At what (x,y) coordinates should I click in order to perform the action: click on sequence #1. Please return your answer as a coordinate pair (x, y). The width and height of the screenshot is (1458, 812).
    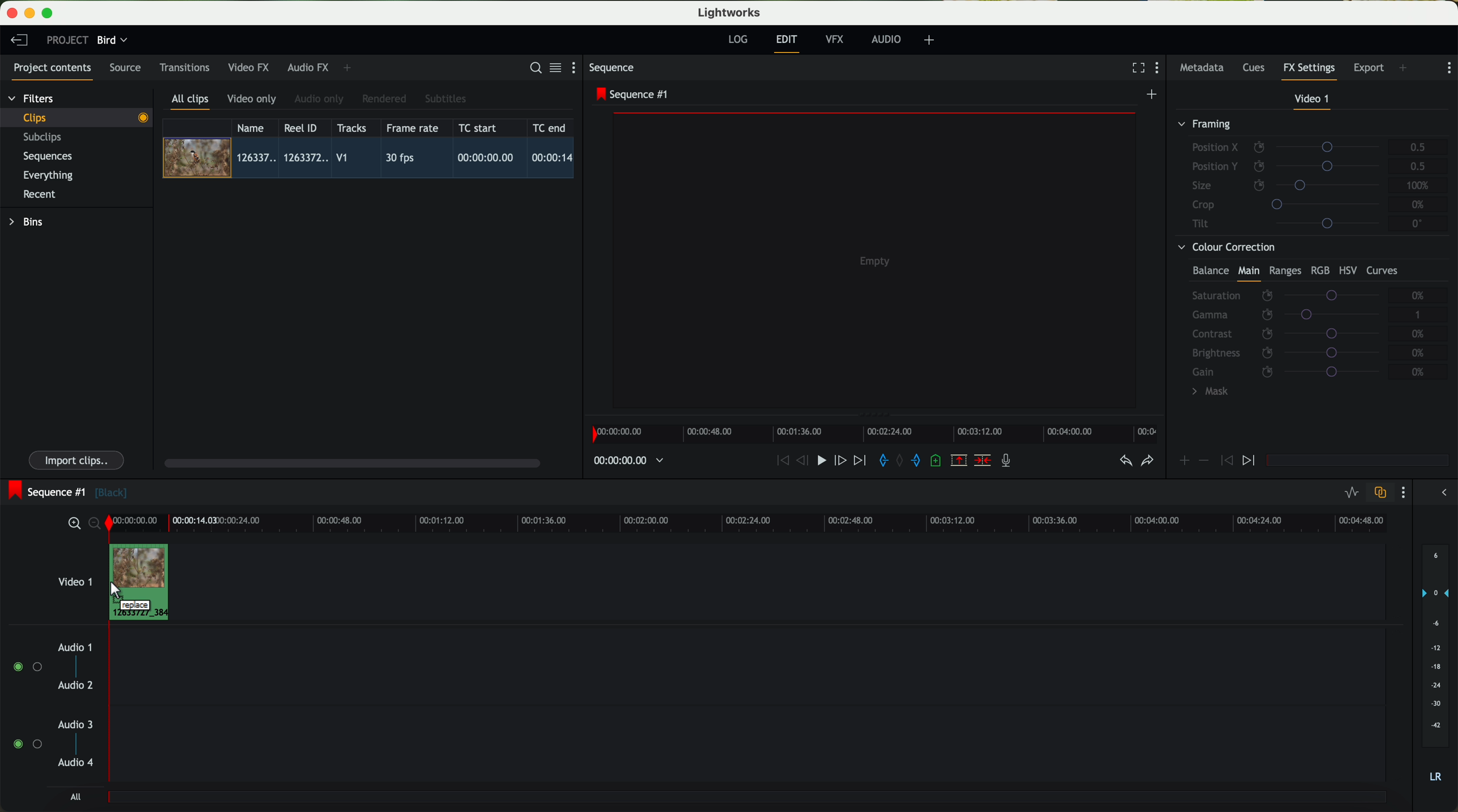
    Looking at the image, I should click on (44, 492).